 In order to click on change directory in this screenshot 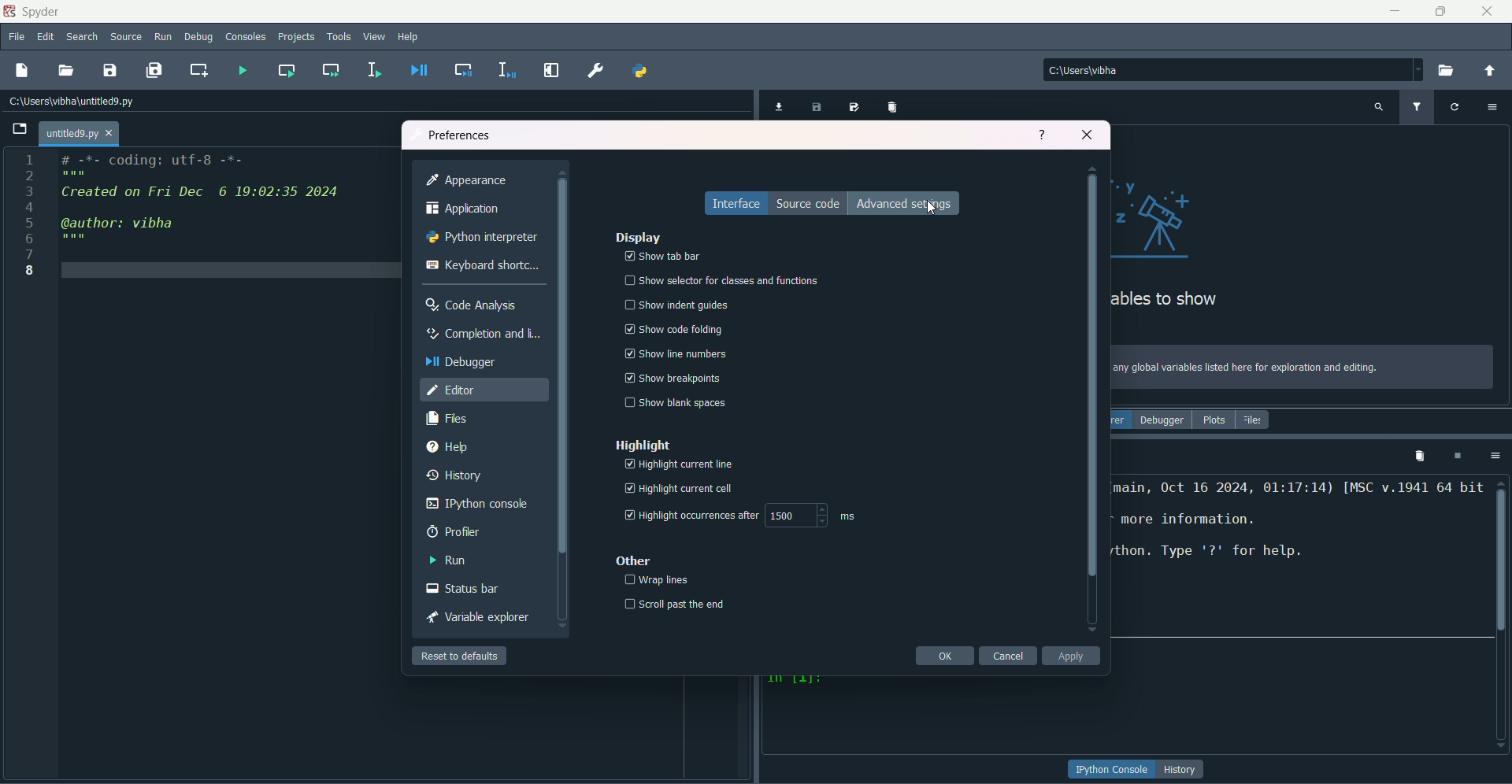, I will do `click(1489, 71)`.